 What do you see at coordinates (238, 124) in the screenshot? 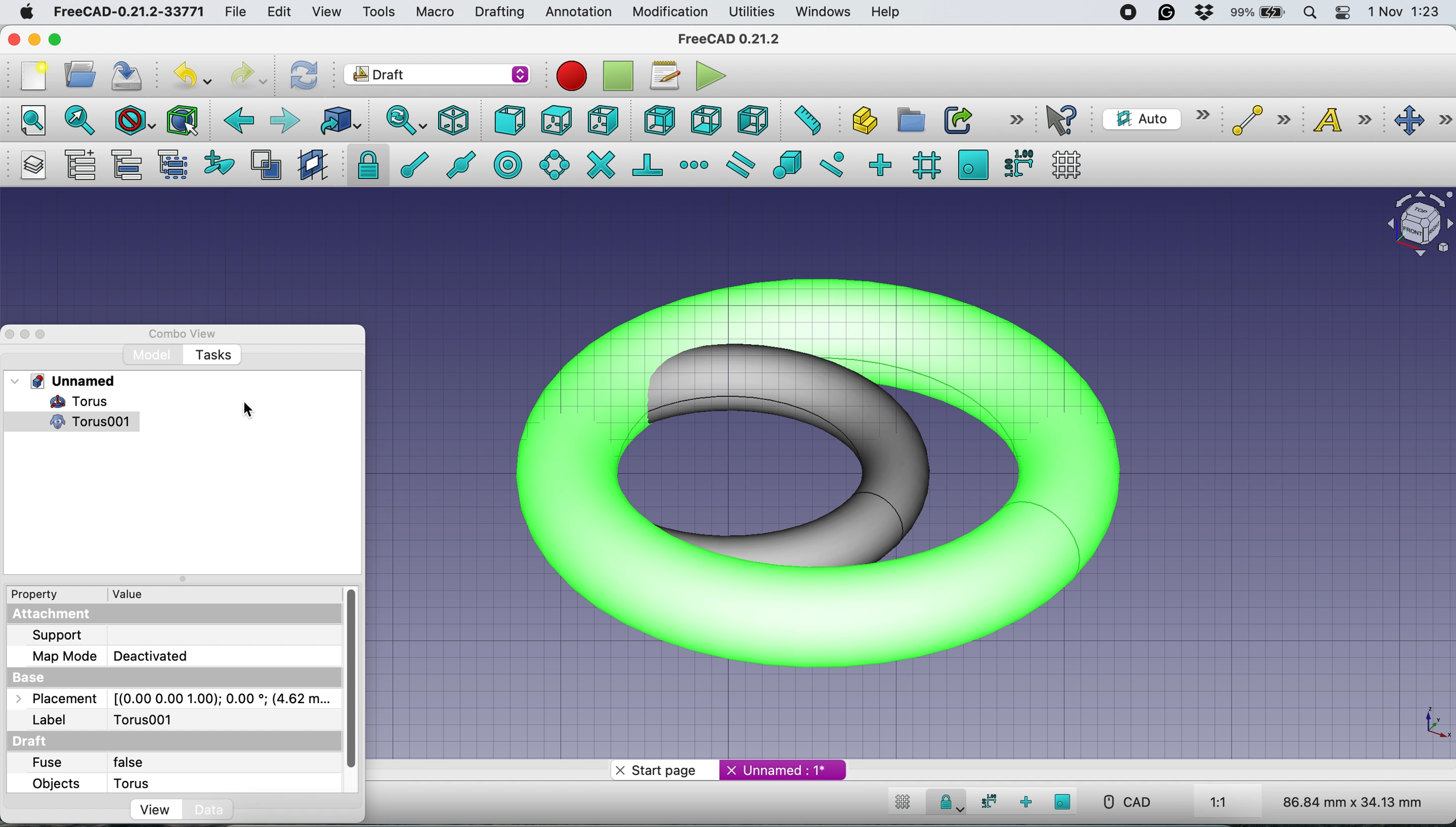
I see `backward` at bounding box center [238, 124].